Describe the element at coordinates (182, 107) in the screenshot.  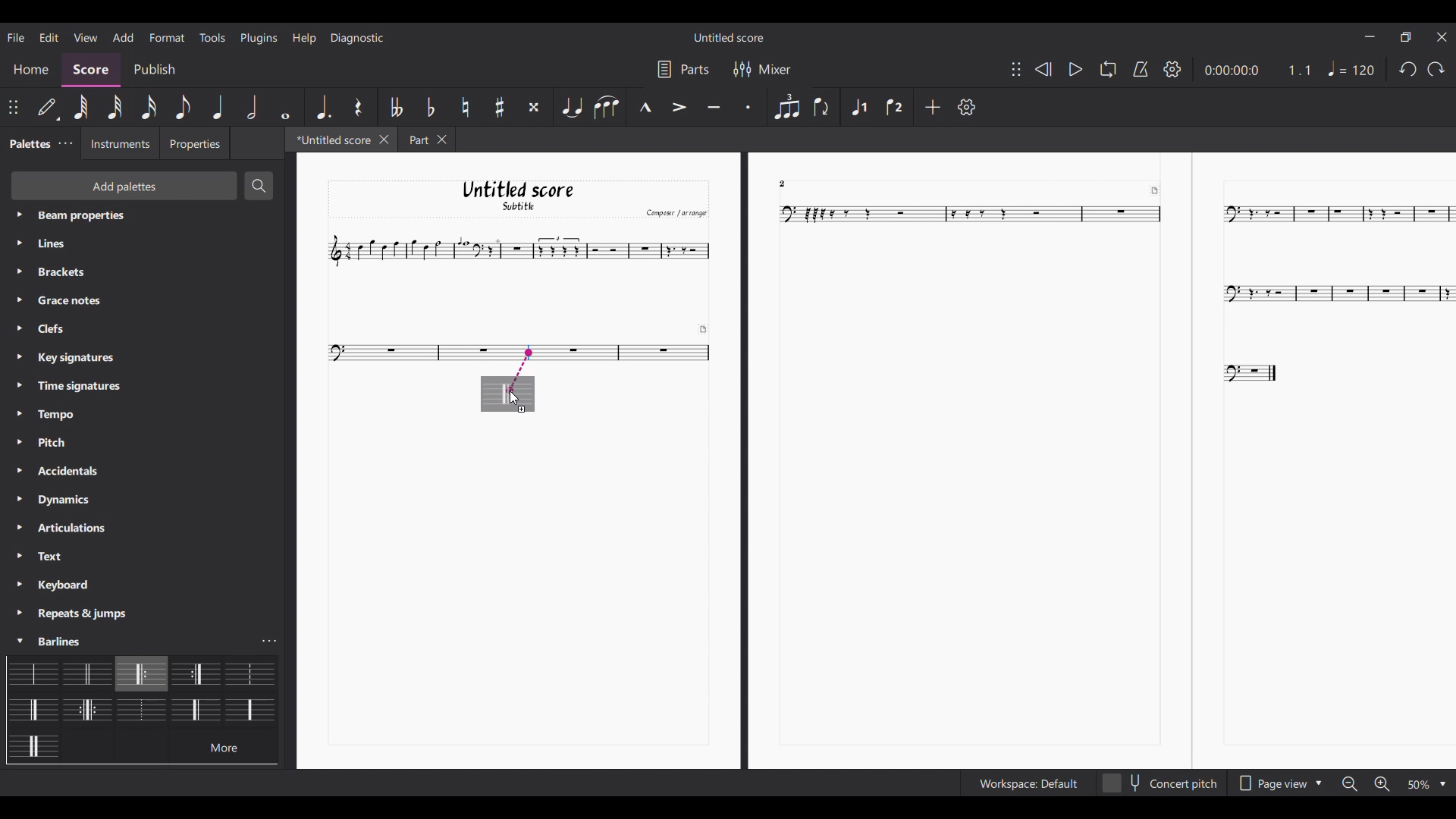
I see `8th note` at that location.